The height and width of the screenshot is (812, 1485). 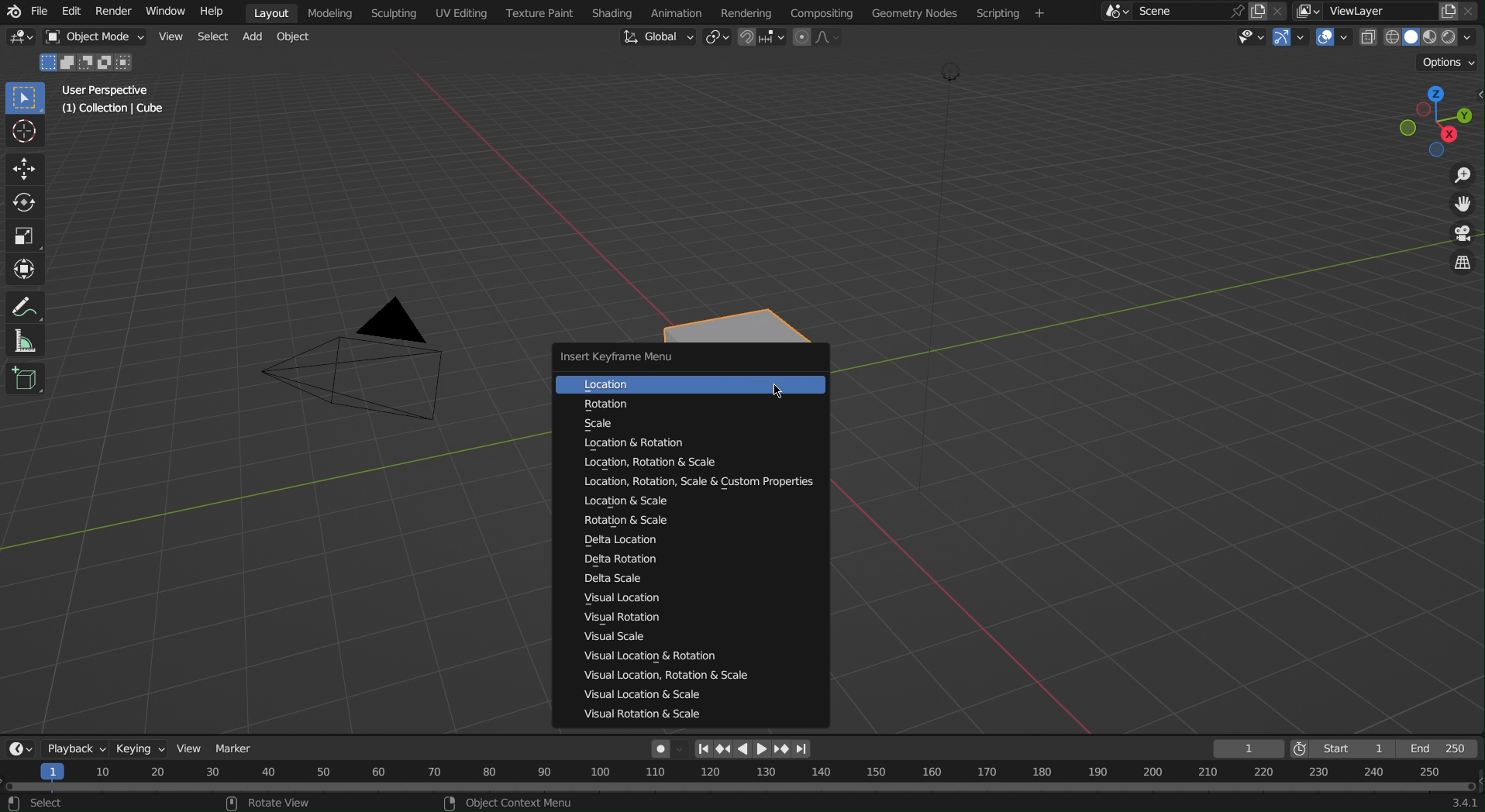 I want to click on left, so click(x=742, y=749).